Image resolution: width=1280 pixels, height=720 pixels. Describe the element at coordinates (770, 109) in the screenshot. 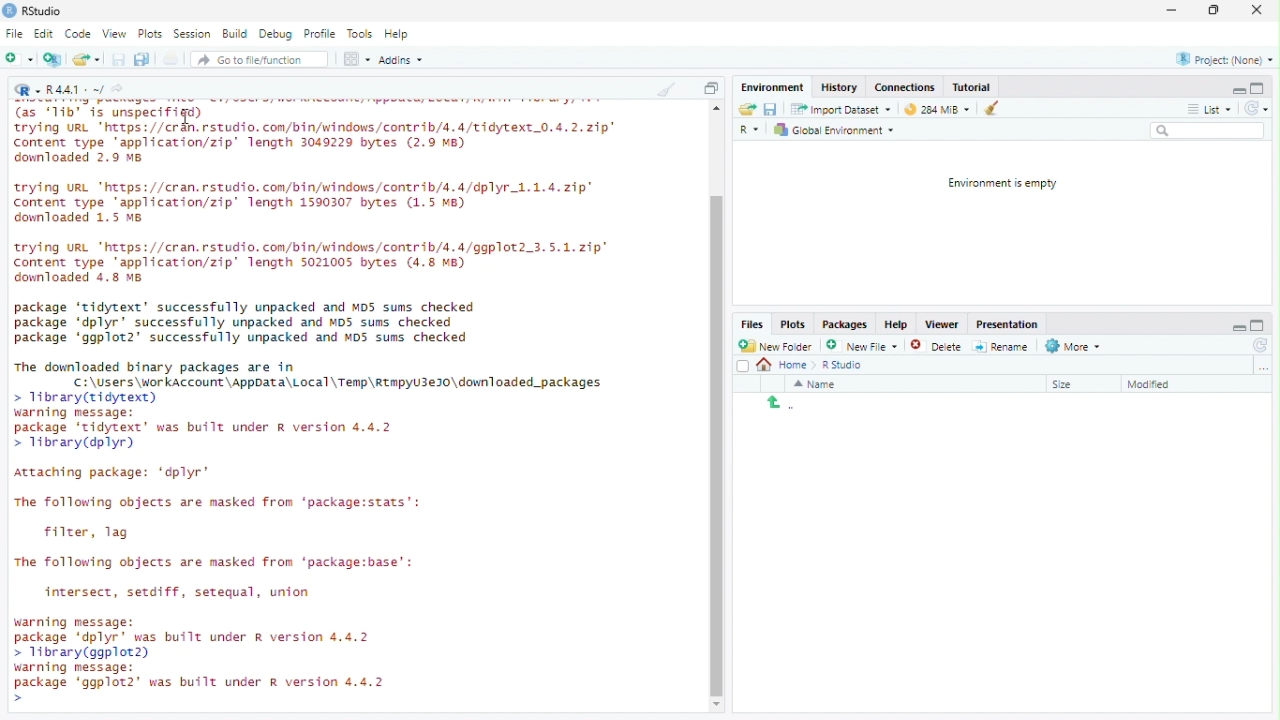

I see `Save` at that location.